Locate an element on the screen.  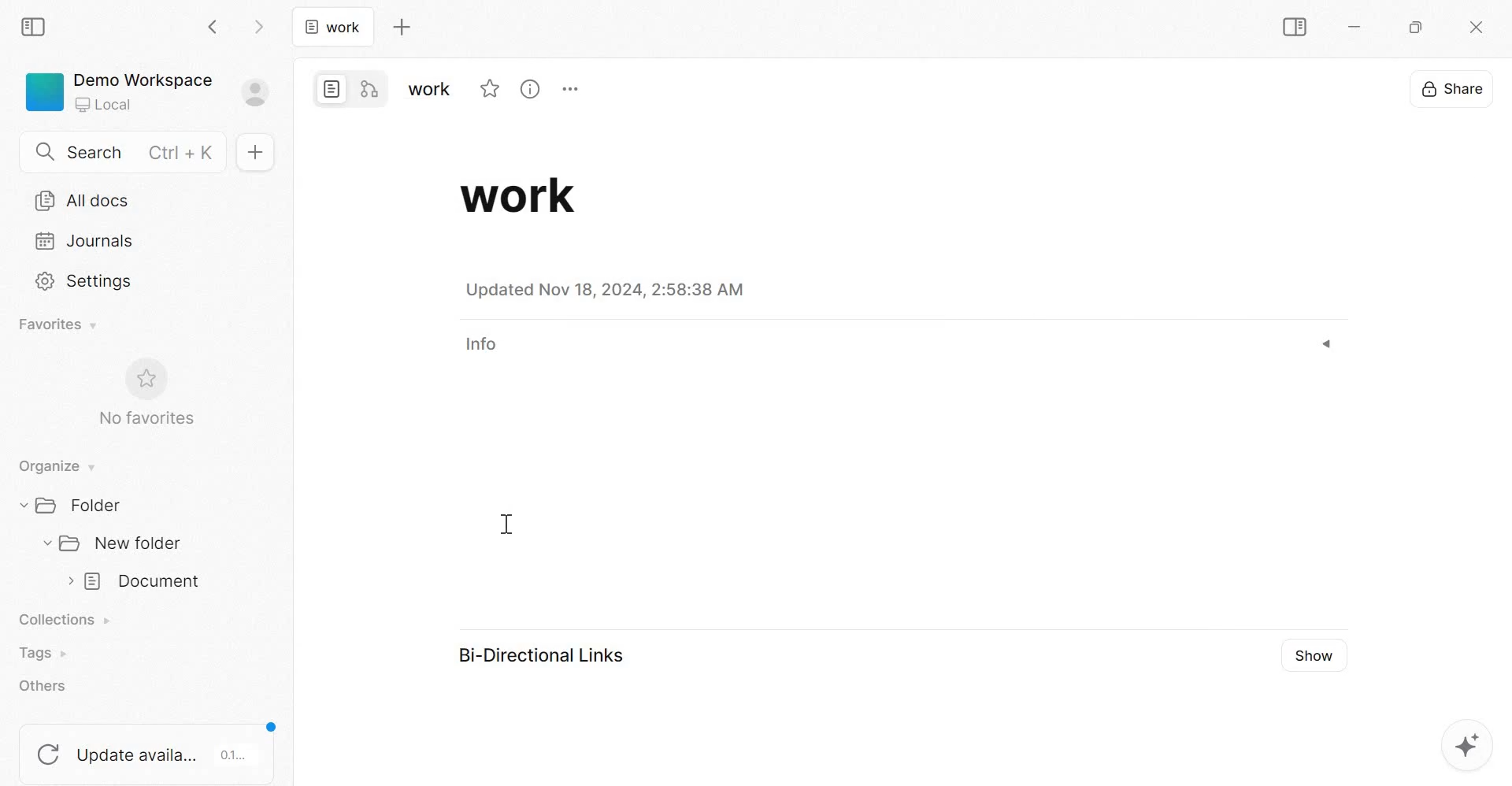
Affine AI is located at coordinates (1466, 744).